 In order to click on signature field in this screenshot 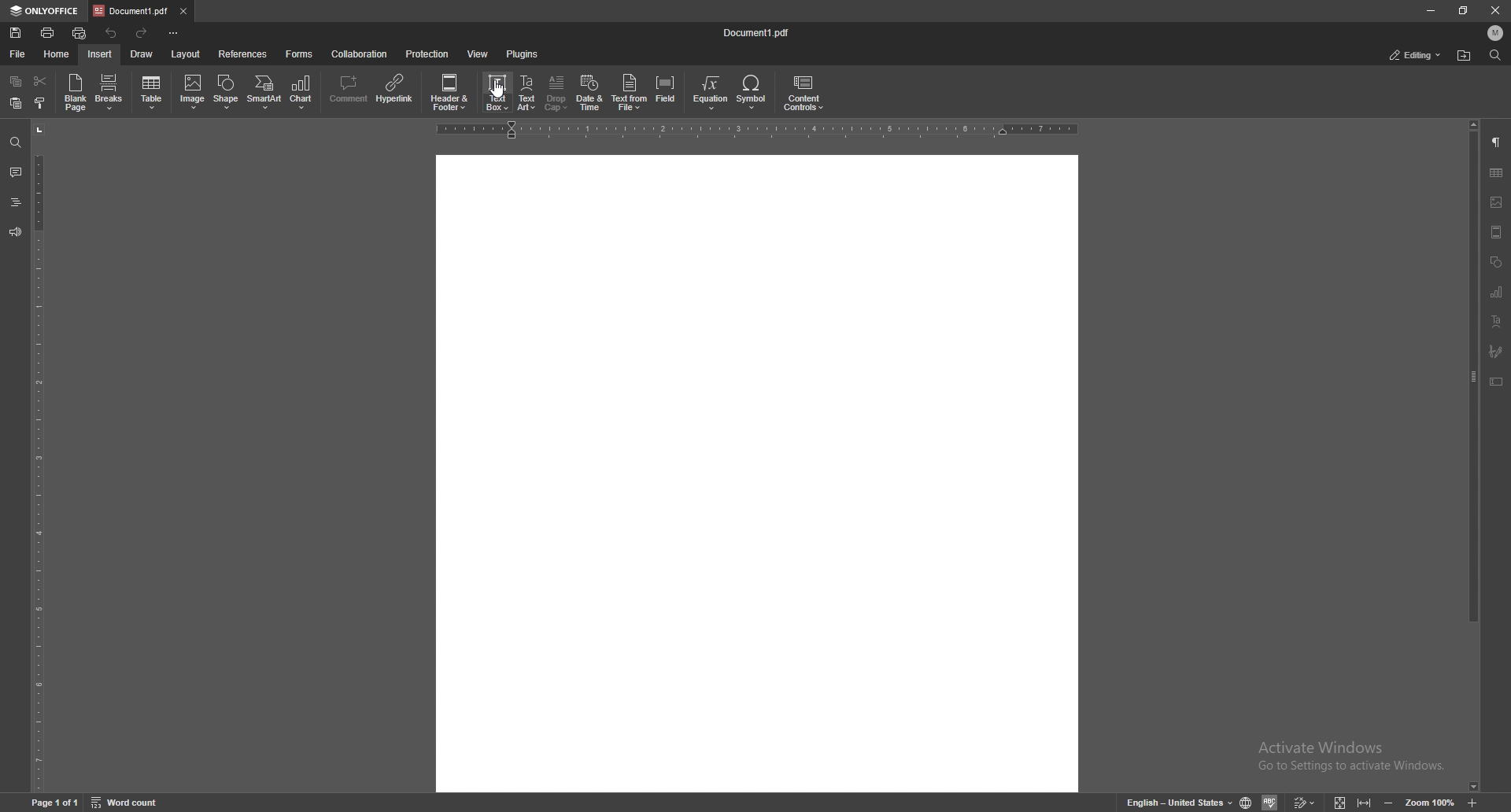, I will do `click(1496, 350)`.